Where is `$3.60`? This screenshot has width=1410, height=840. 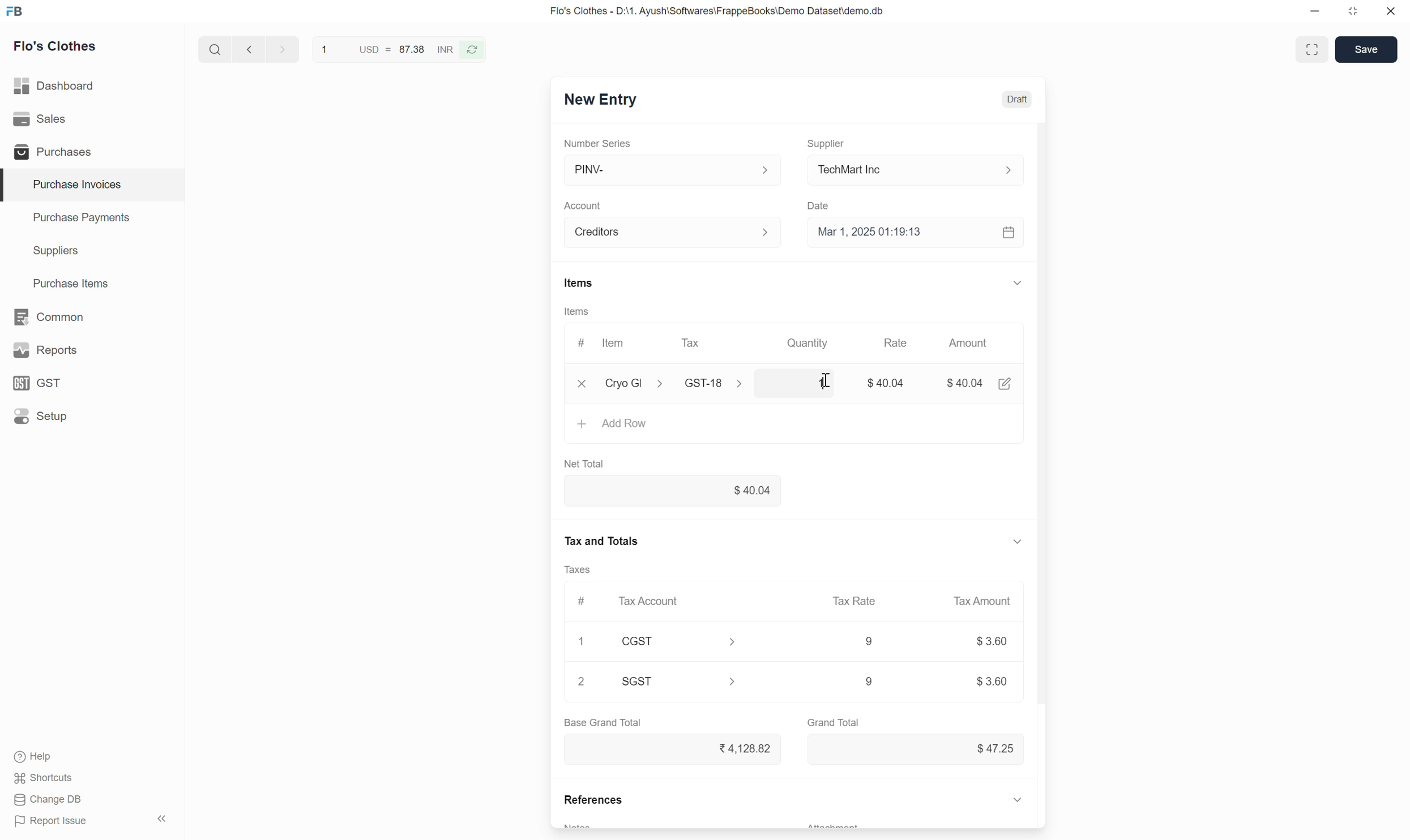
$3.60 is located at coordinates (991, 643).